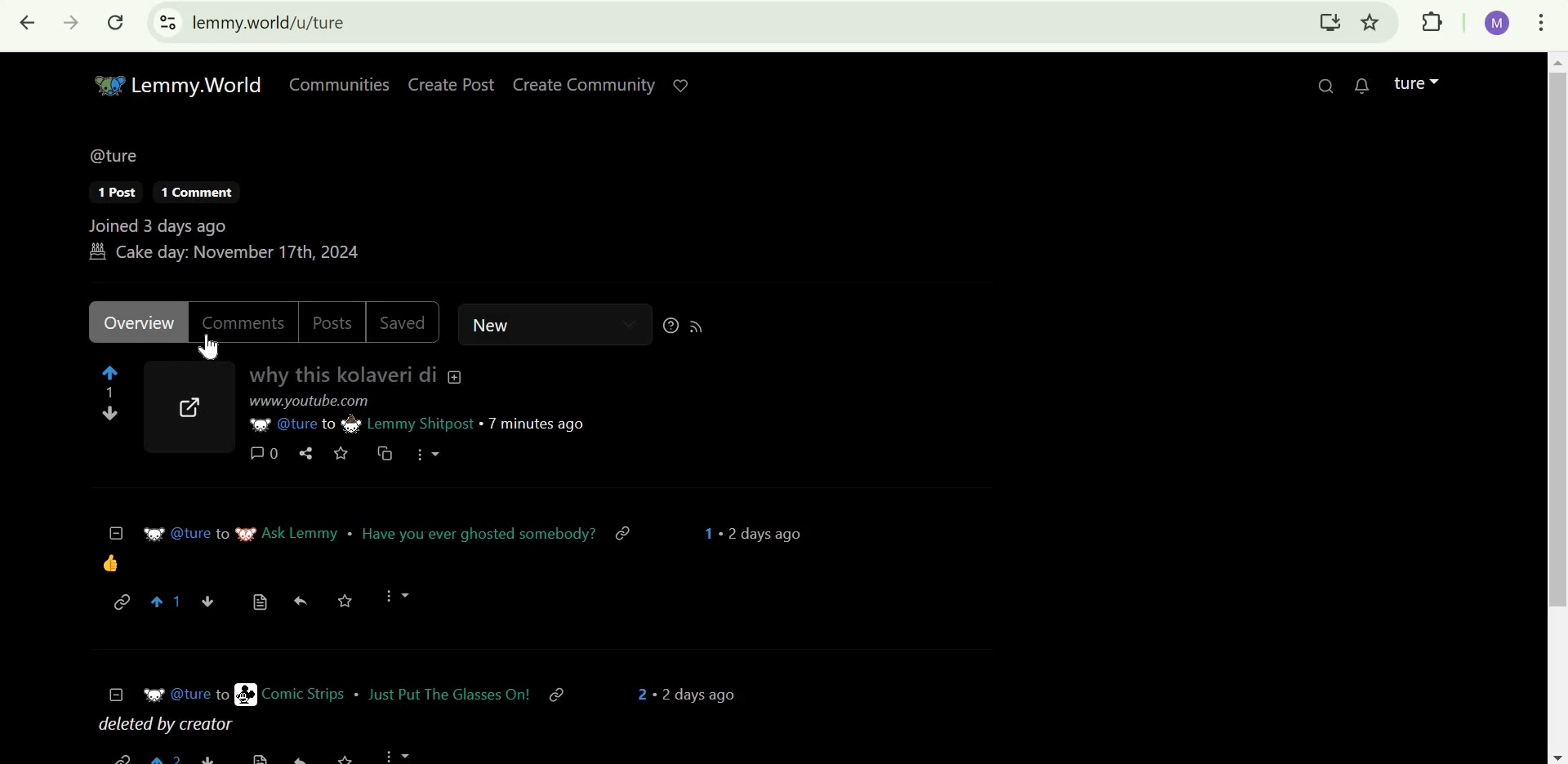  What do you see at coordinates (335, 83) in the screenshot?
I see `Communities` at bounding box center [335, 83].